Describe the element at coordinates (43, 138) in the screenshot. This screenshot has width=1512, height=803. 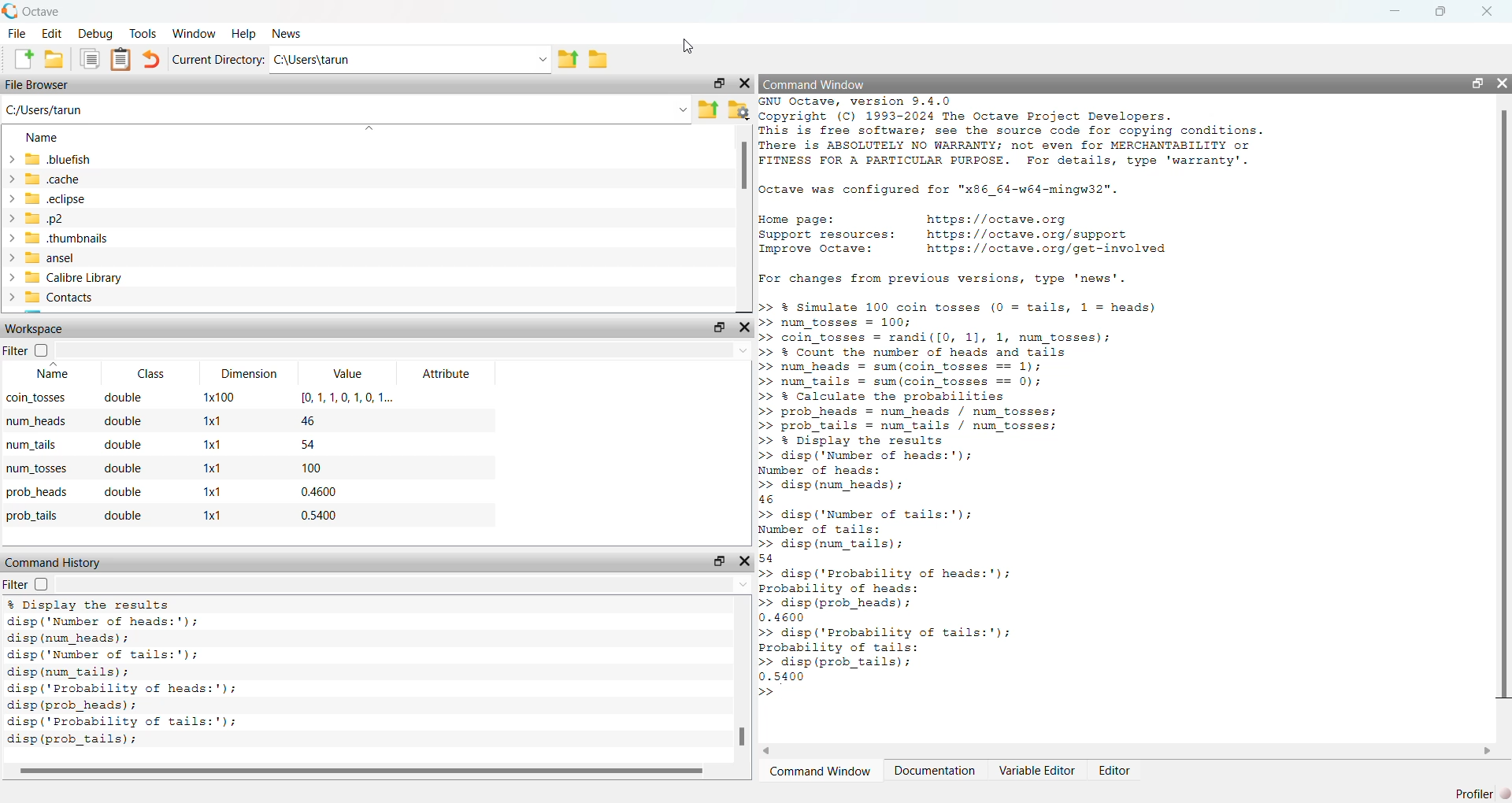
I see `Name` at that location.